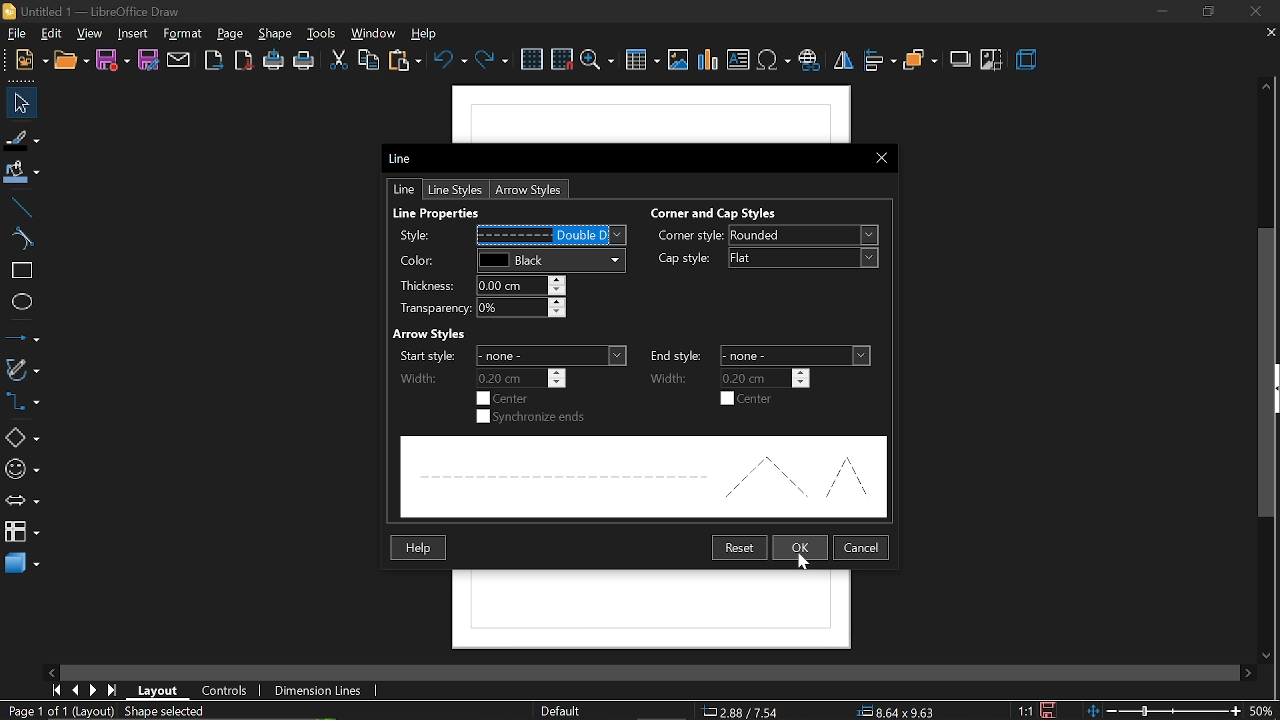 Image resolution: width=1280 pixels, height=720 pixels. I want to click on 8.64x9.63, so click(903, 713).